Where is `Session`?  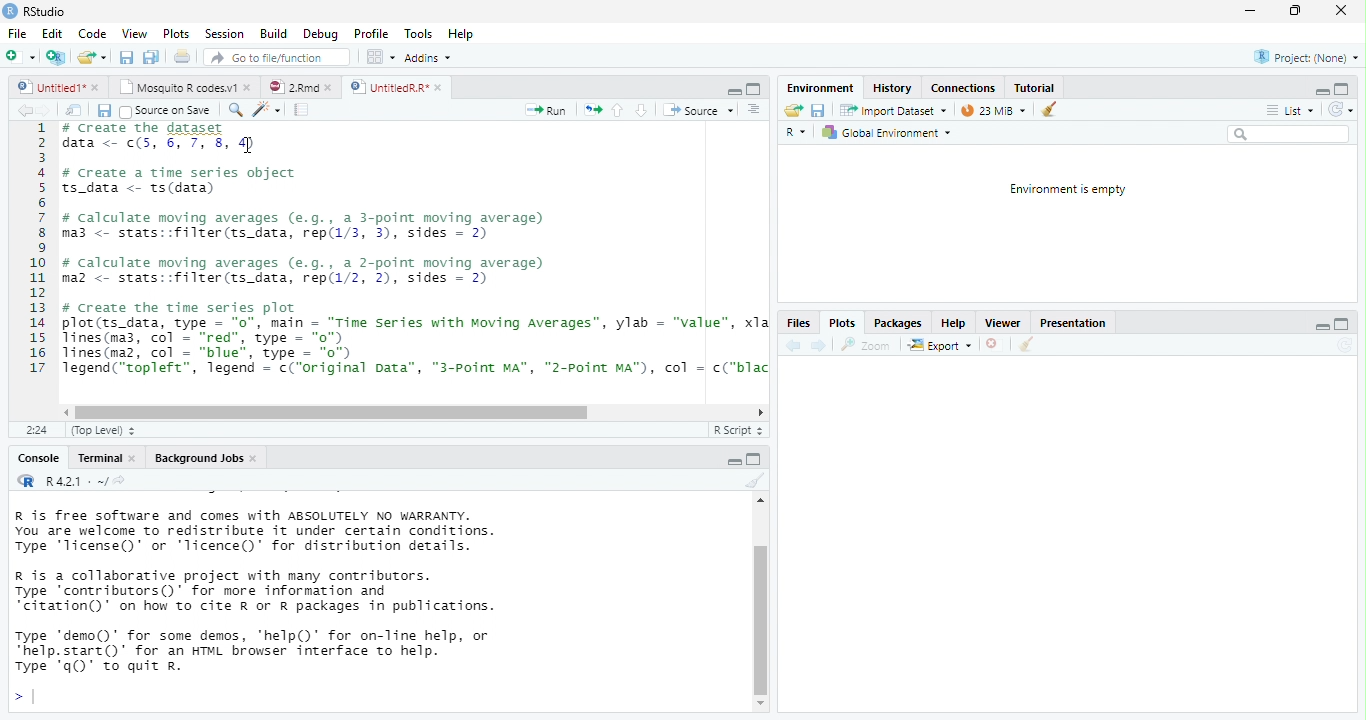 Session is located at coordinates (224, 33).